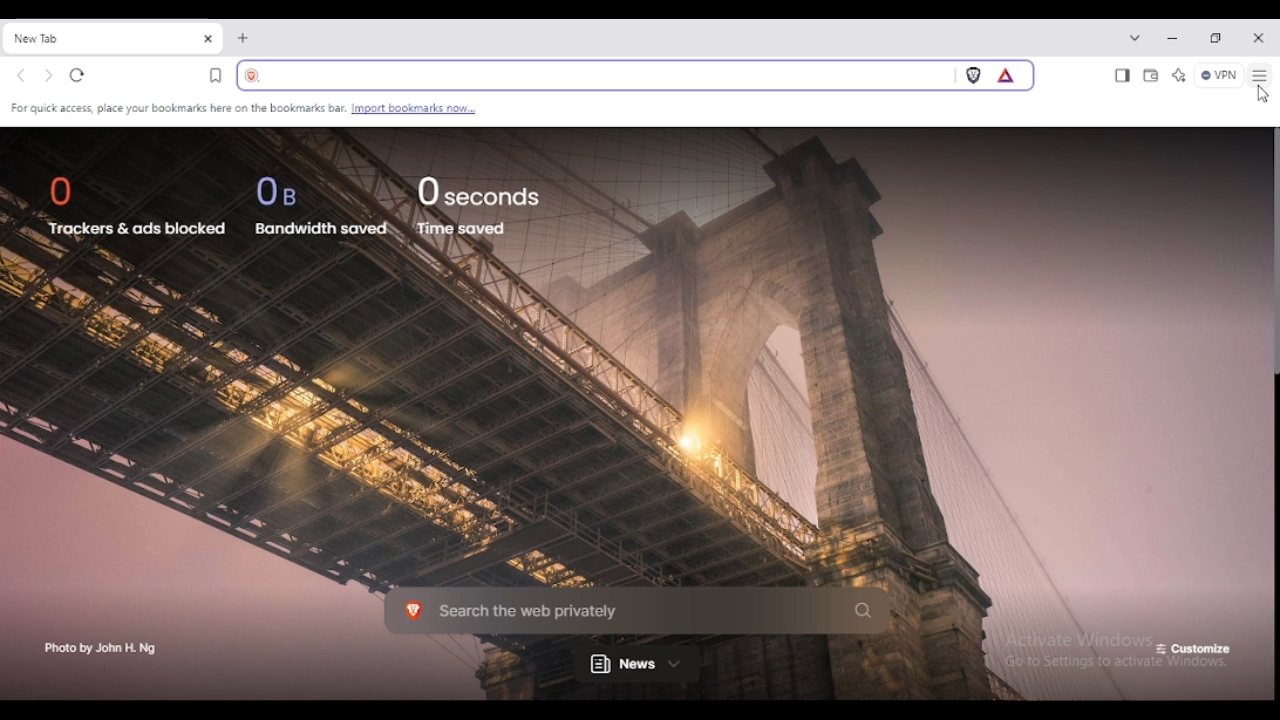  I want to click on 0 trackers & ads blocked, so click(136, 209).